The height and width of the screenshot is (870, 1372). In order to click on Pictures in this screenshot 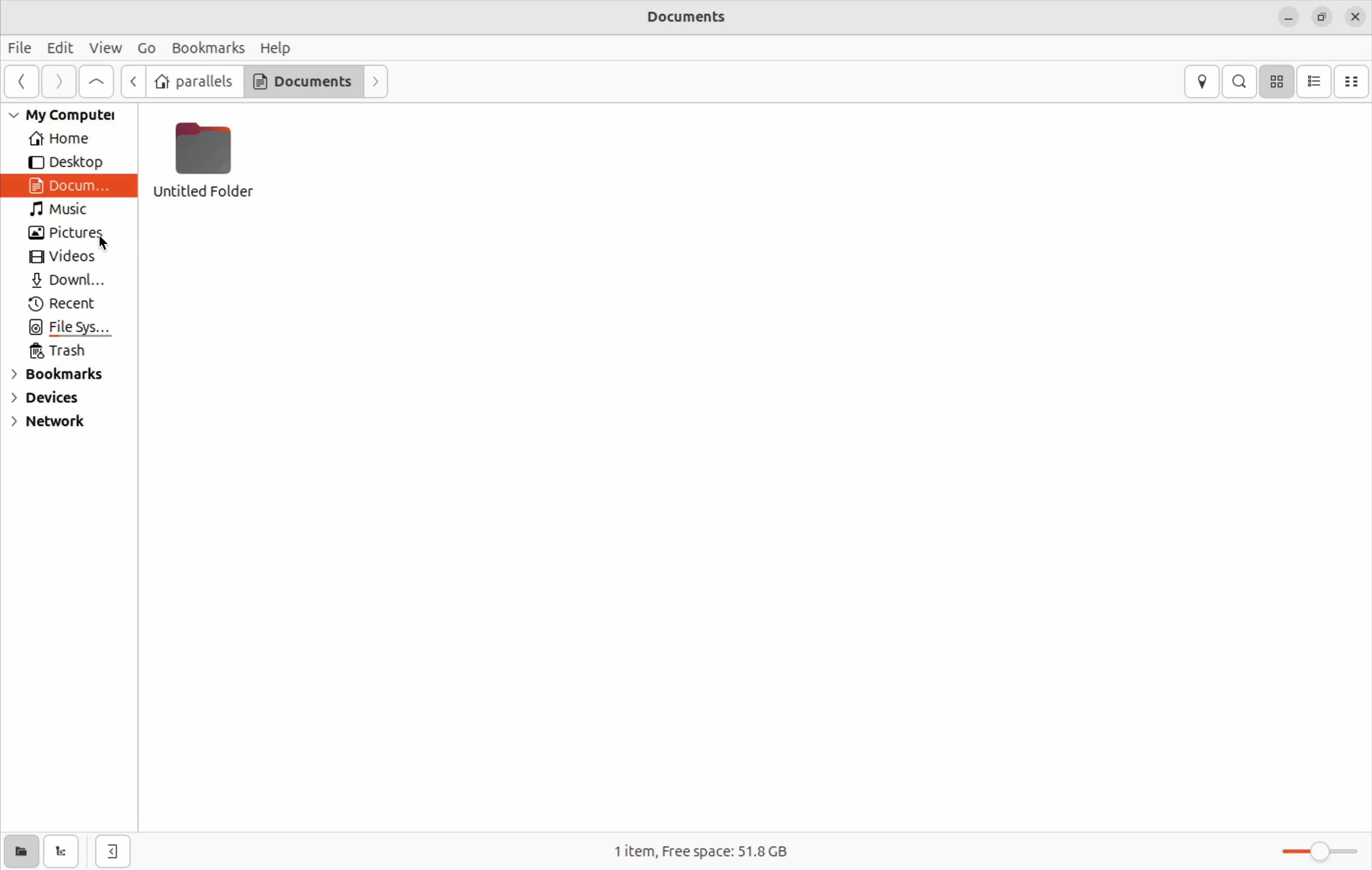, I will do `click(59, 233)`.